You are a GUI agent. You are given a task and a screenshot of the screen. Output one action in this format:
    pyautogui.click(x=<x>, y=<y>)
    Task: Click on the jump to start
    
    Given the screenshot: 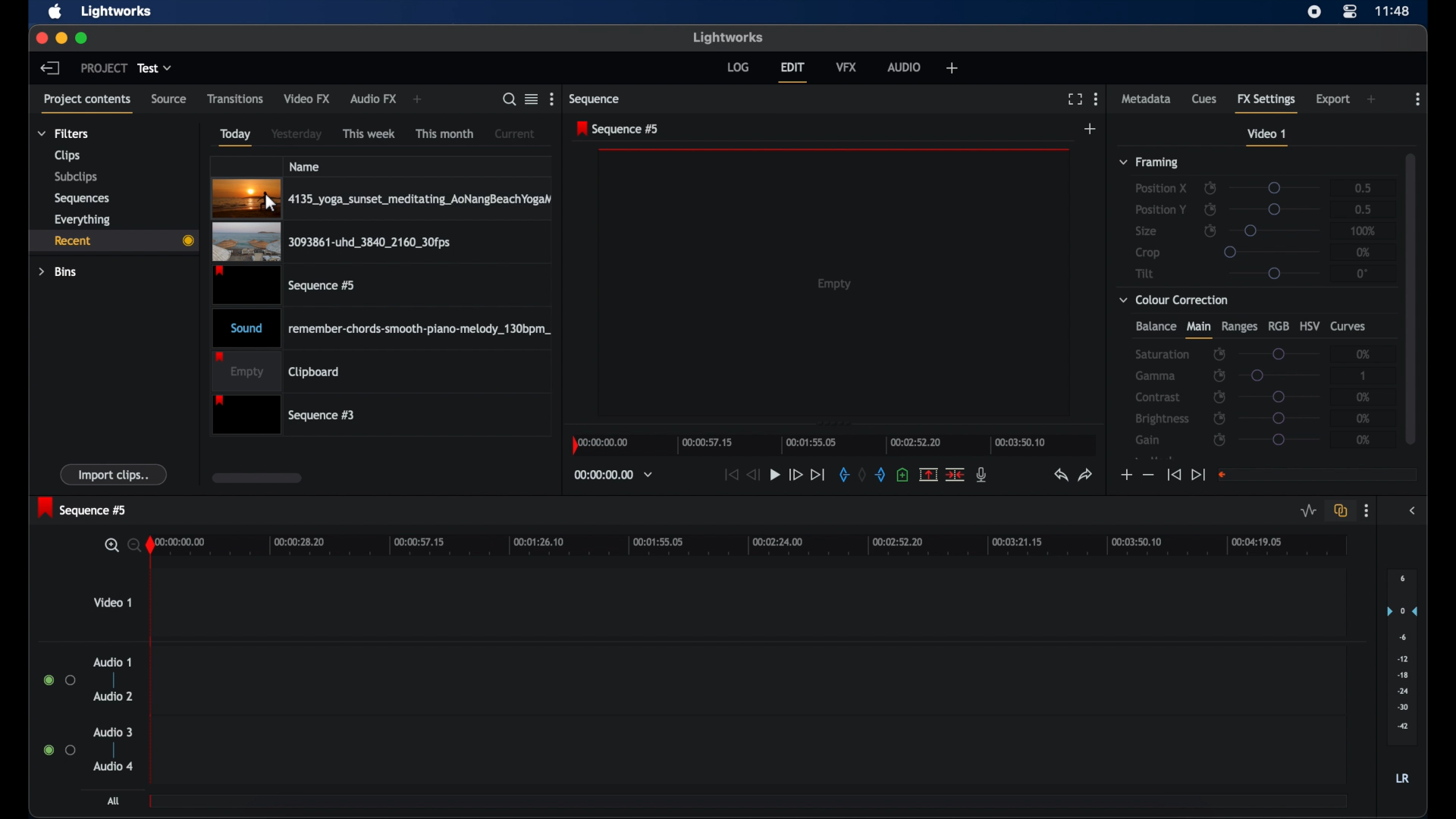 What is the action you would take?
    pyautogui.click(x=731, y=474)
    